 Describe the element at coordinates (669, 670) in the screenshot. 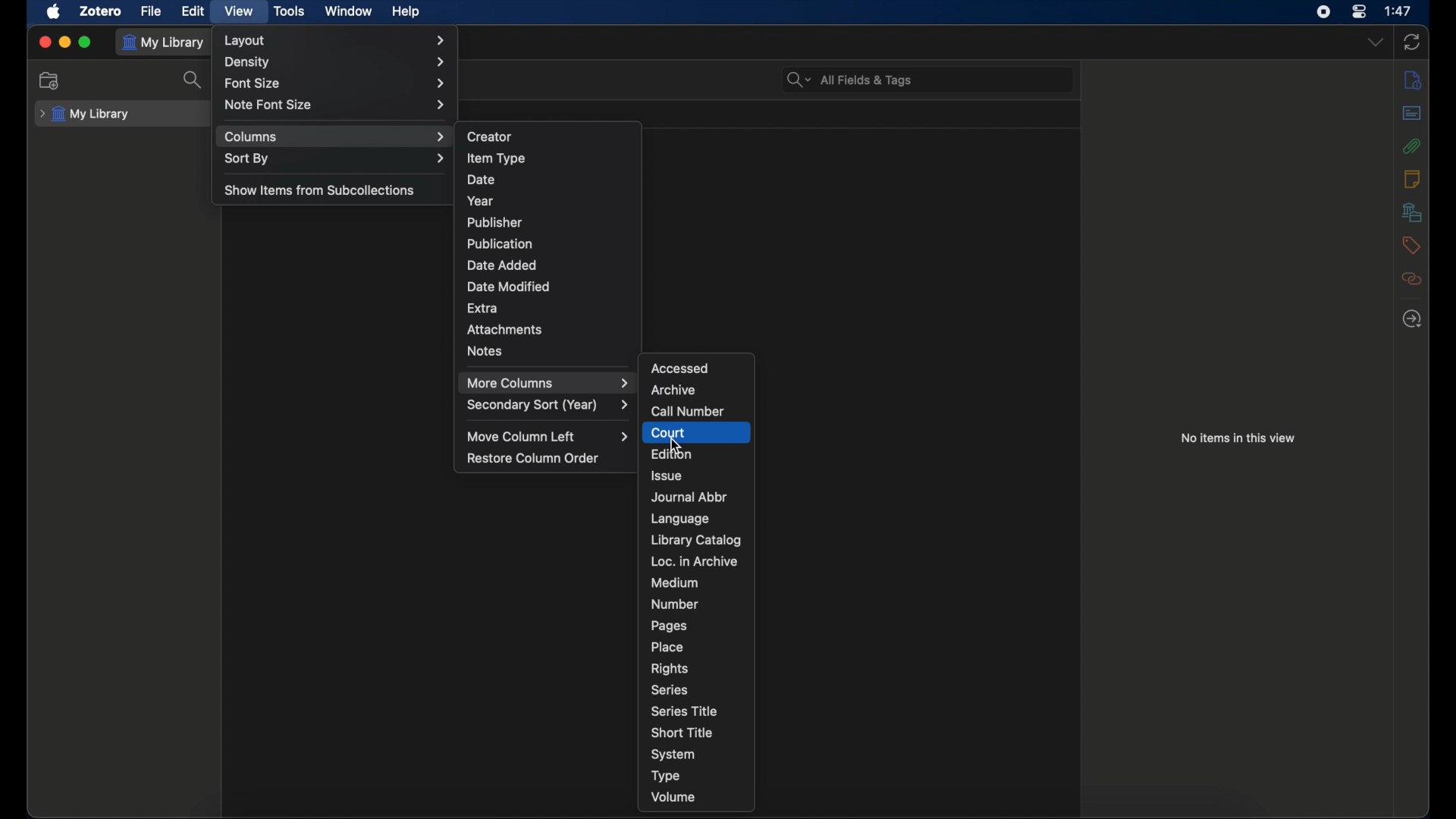

I see `rights` at that location.